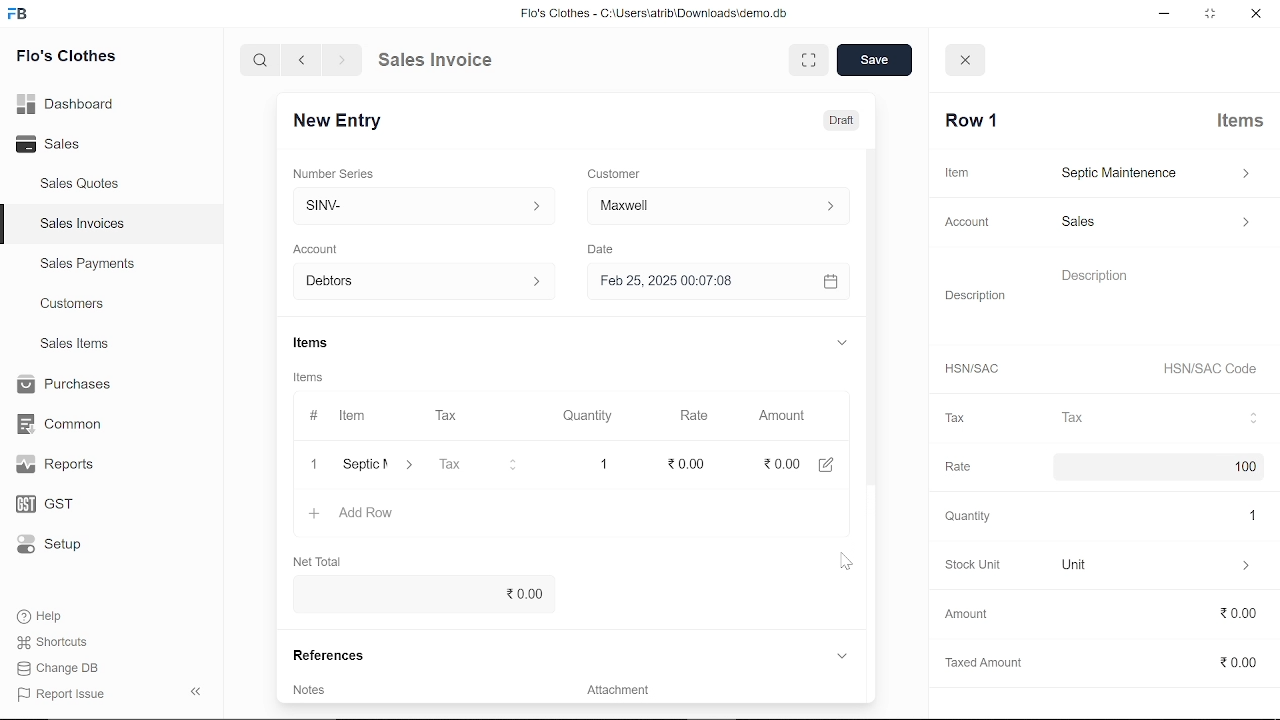  Describe the element at coordinates (1161, 418) in the screenshot. I see `Tax` at that location.